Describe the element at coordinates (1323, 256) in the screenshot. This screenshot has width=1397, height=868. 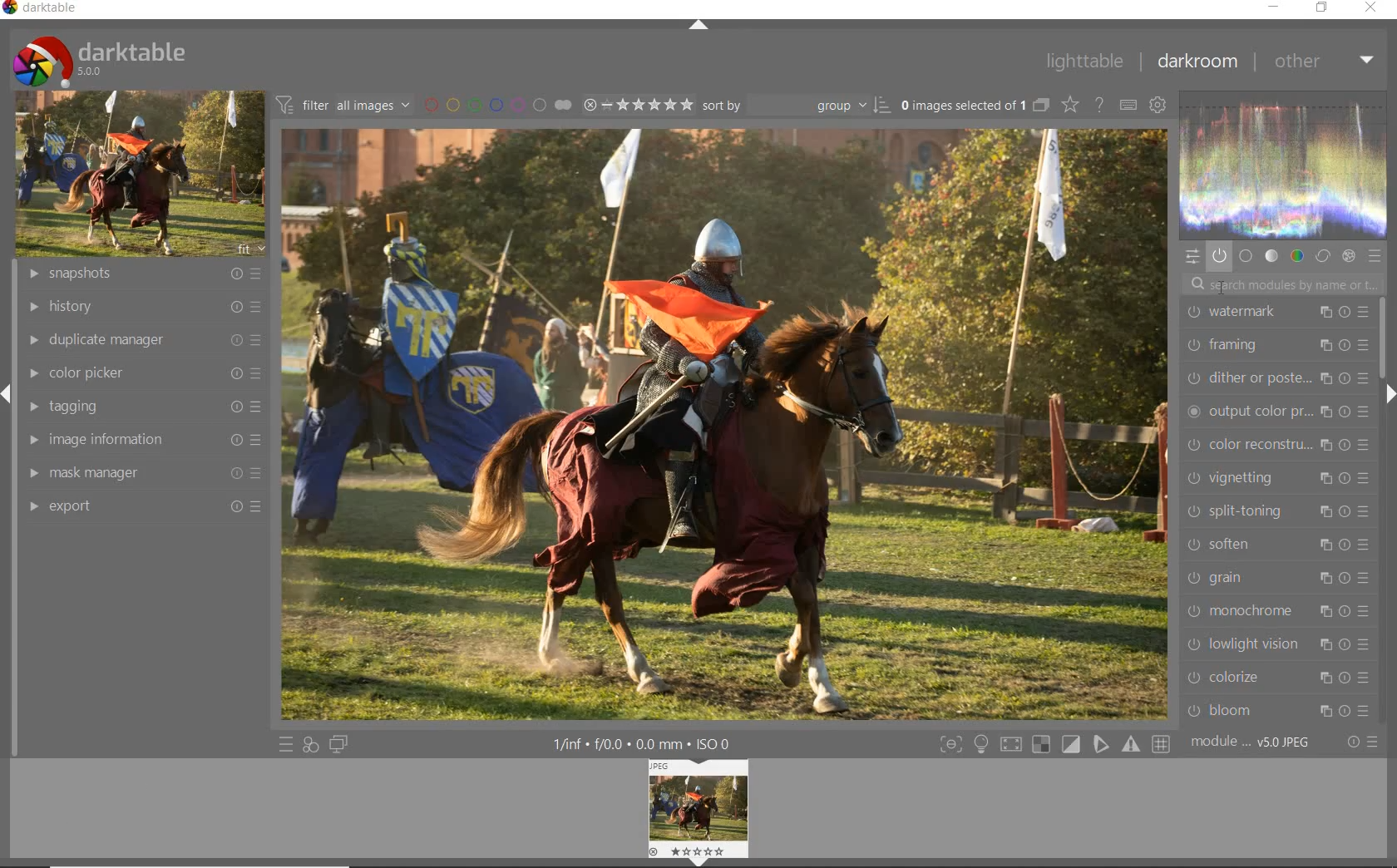
I see `correct` at that location.